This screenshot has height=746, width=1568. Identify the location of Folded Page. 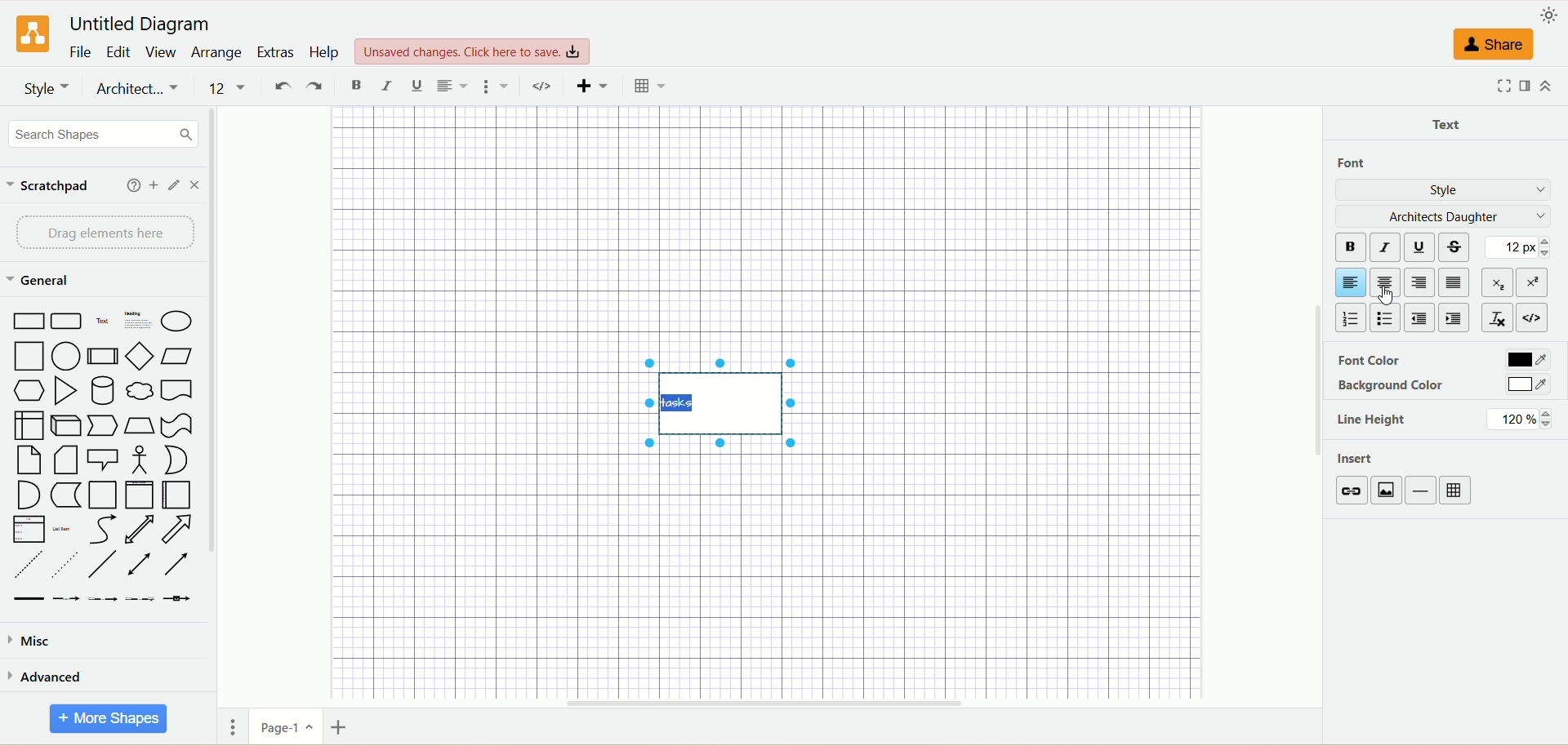
(65, 461).